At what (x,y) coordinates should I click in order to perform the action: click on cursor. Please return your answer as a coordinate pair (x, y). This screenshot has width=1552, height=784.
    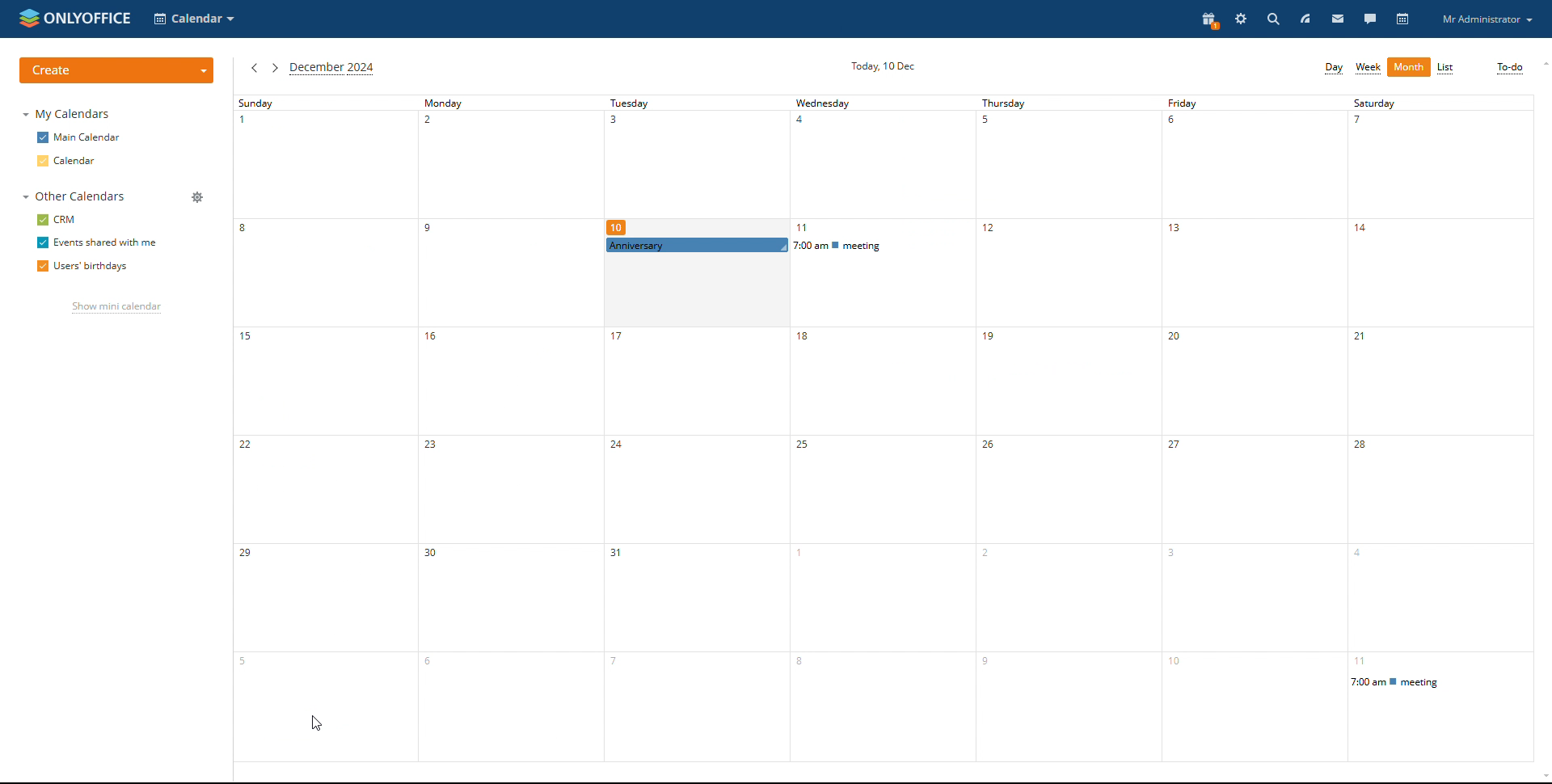
    Looking at the image, I should click on (317, 723).